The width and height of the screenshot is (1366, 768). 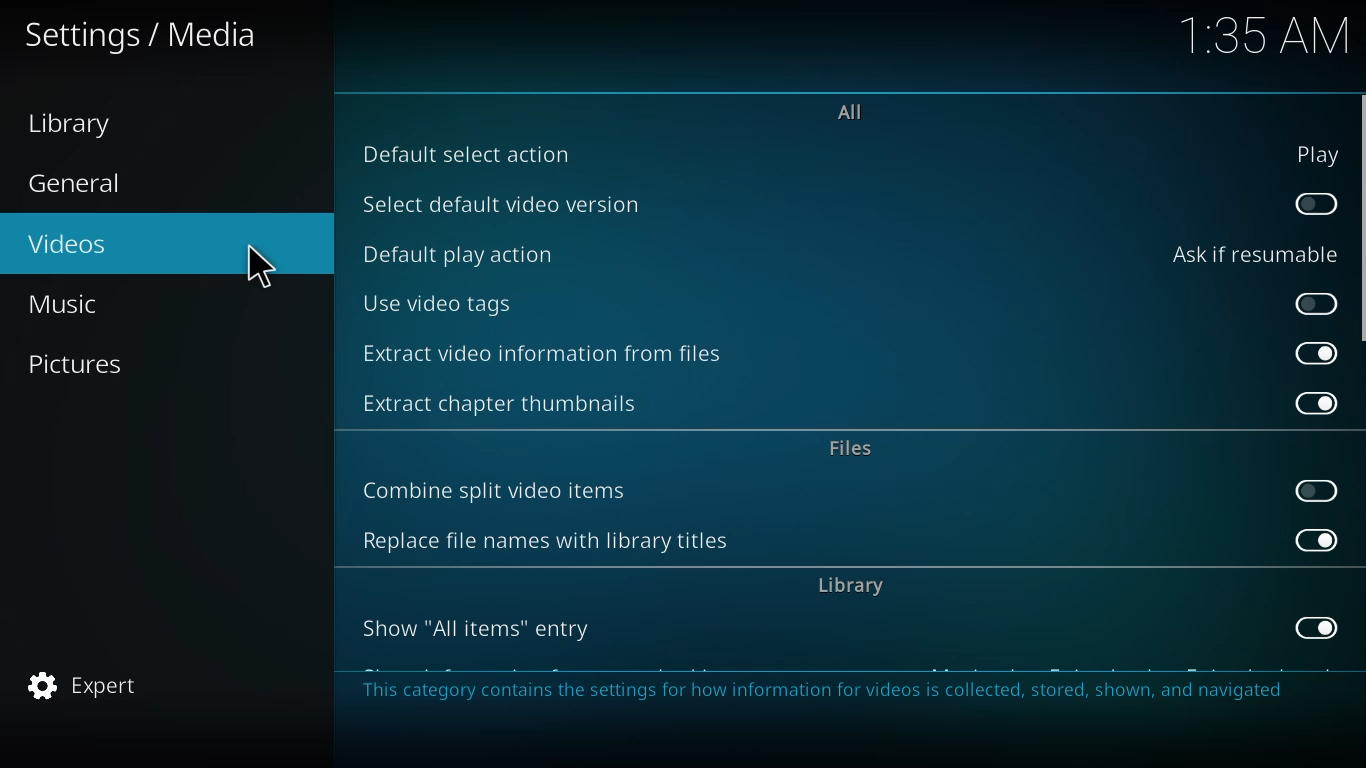 I want to click on enabled, so click(x=1316, y=627).